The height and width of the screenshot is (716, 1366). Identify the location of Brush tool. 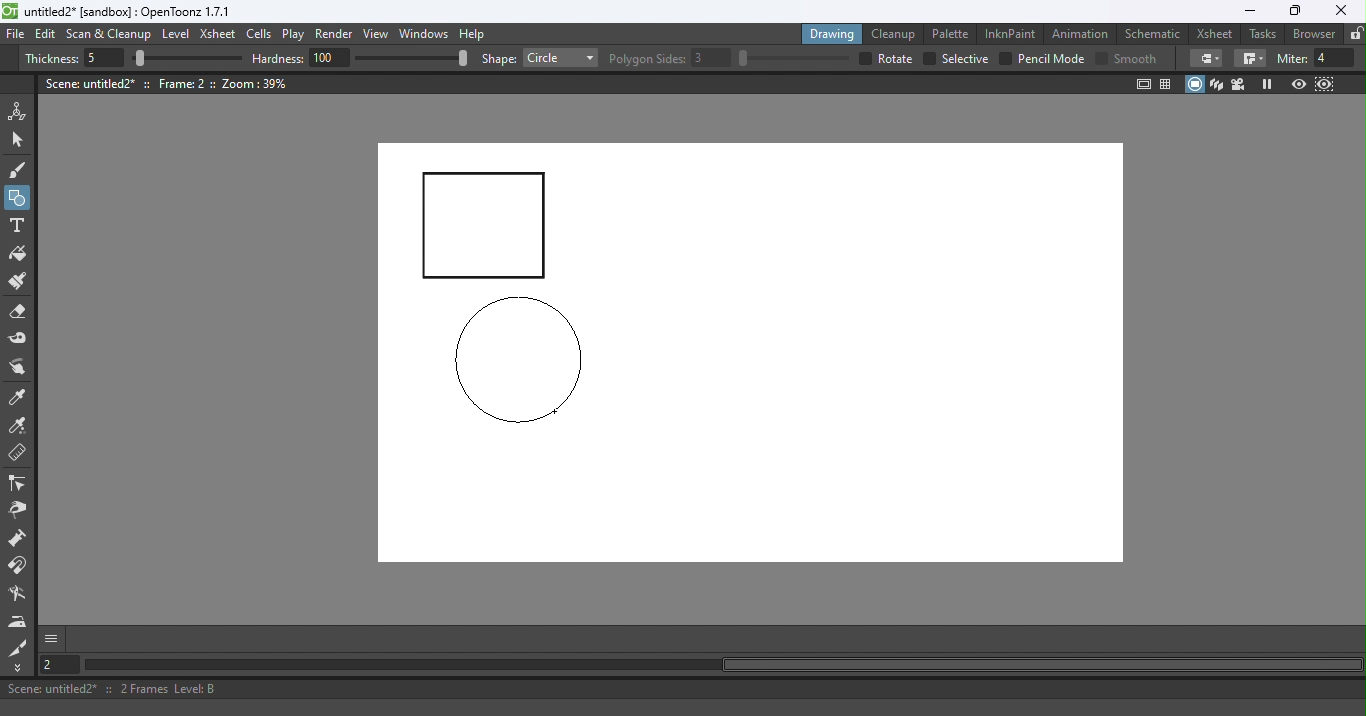
(22, 169).